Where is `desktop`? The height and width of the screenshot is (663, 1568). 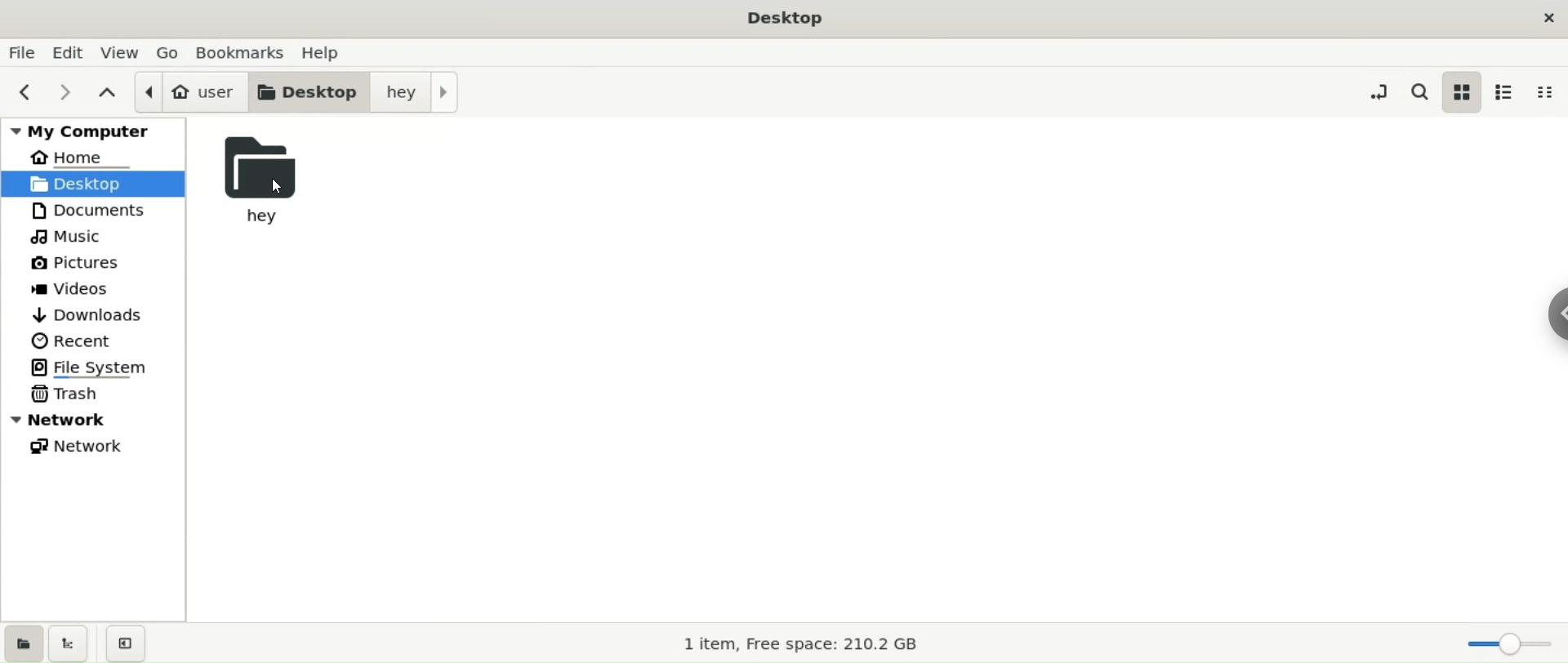 desktop is located at coordinates (305, 92).